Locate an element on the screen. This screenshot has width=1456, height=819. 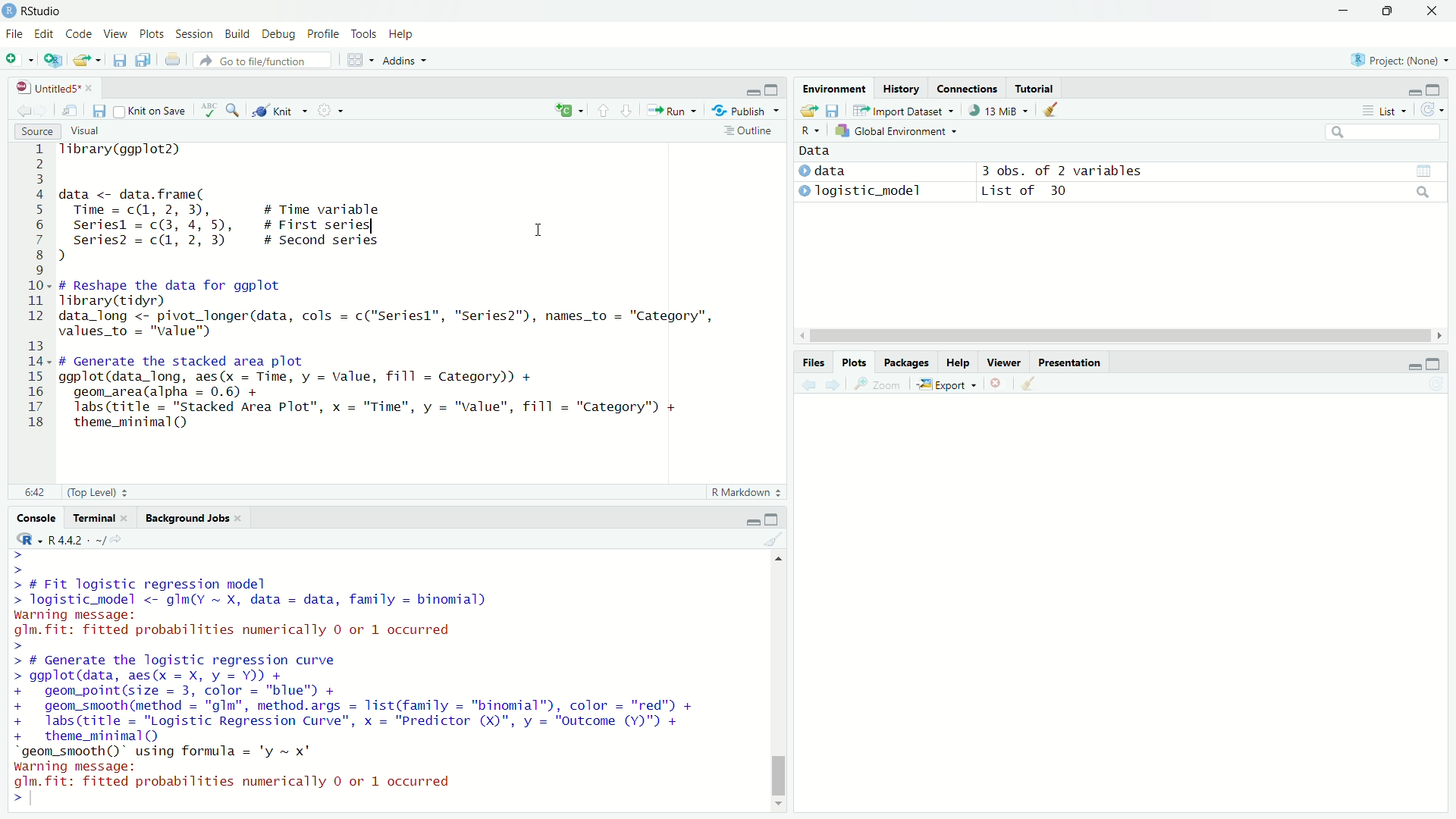
back is located at coordinates (807, 388).